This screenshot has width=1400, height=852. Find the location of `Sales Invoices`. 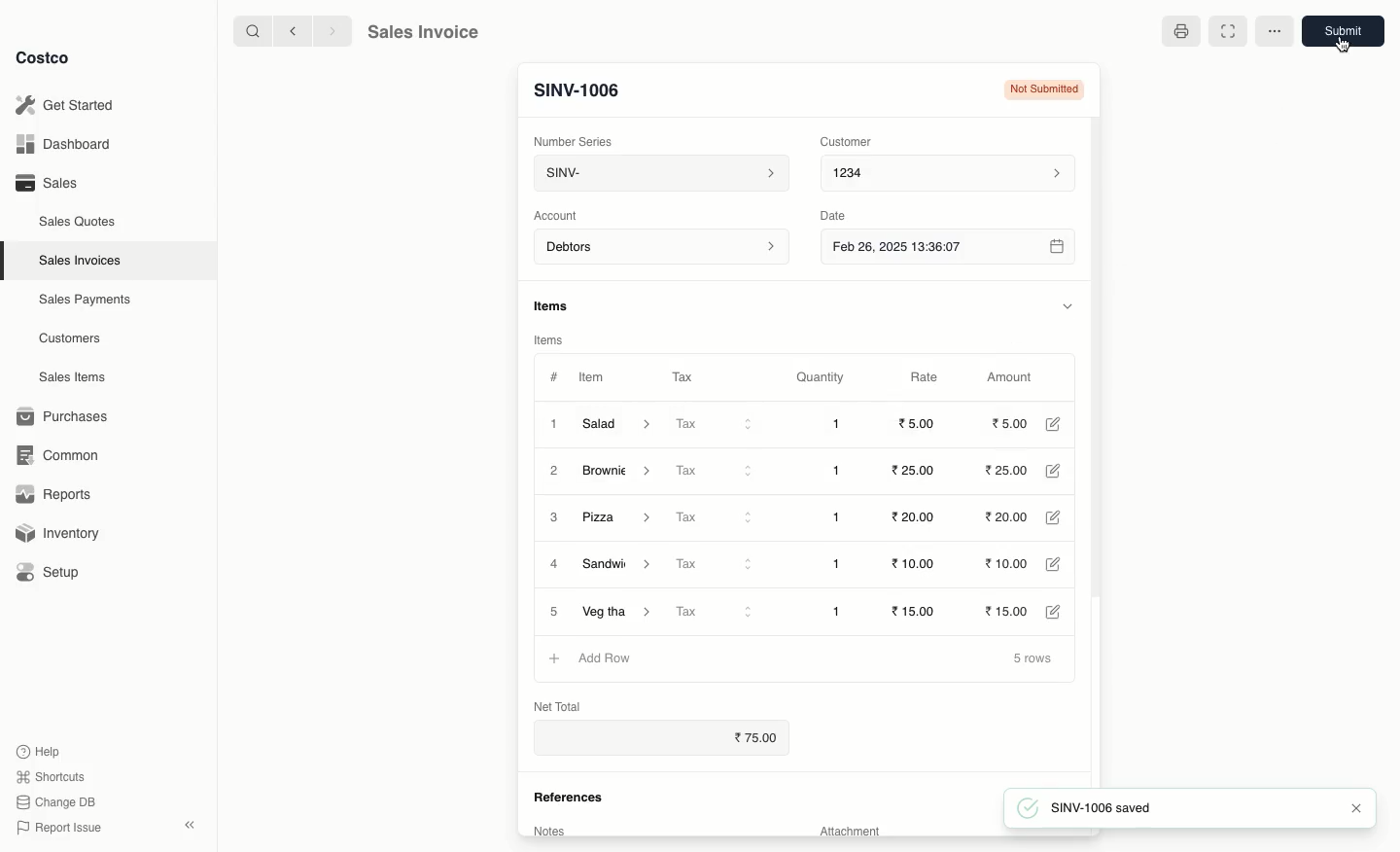

Sales Invoices is located at coordinates (81, 261).